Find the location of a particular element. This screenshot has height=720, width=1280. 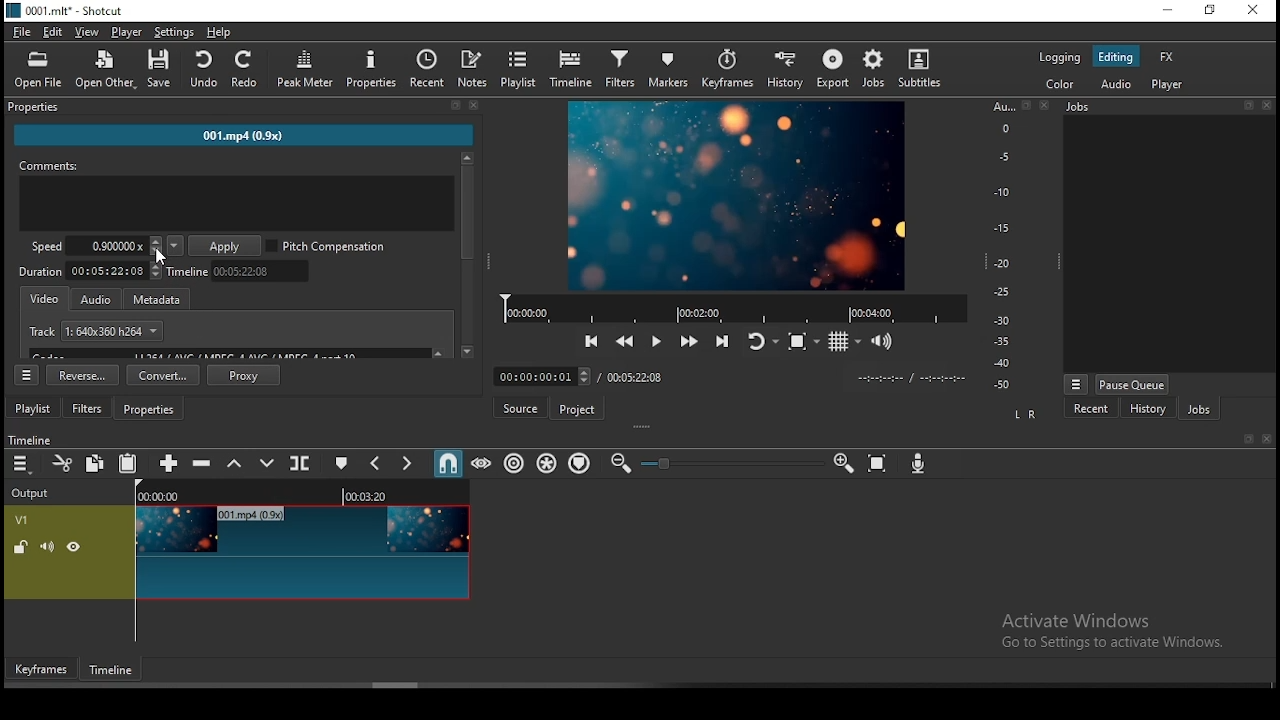

view menu is located at coordinates (1076, 384).